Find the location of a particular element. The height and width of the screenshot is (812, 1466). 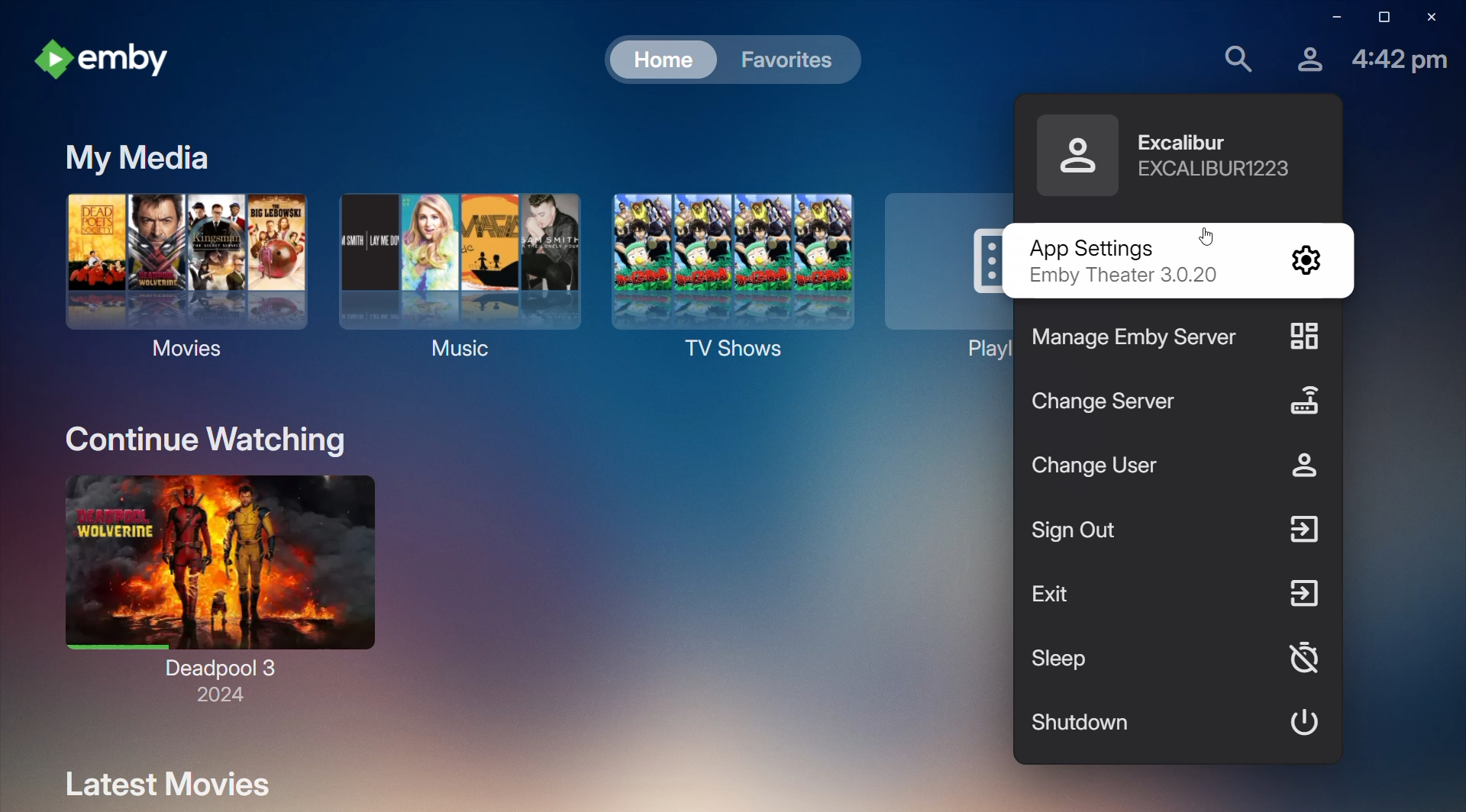

Latest Movies is located at coordinates (164, 782).